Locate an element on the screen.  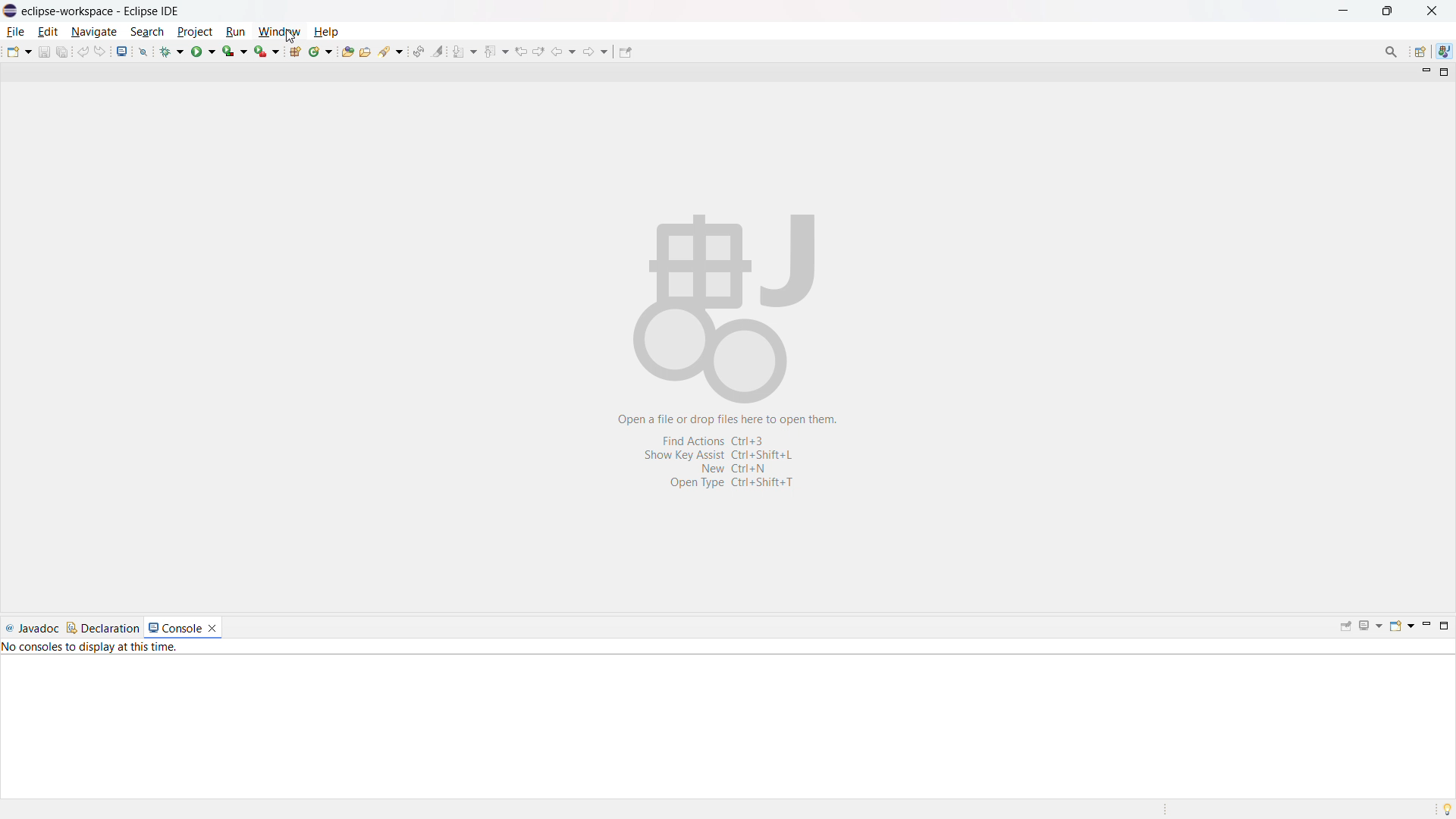
open type is located at coordinates (347, 51).